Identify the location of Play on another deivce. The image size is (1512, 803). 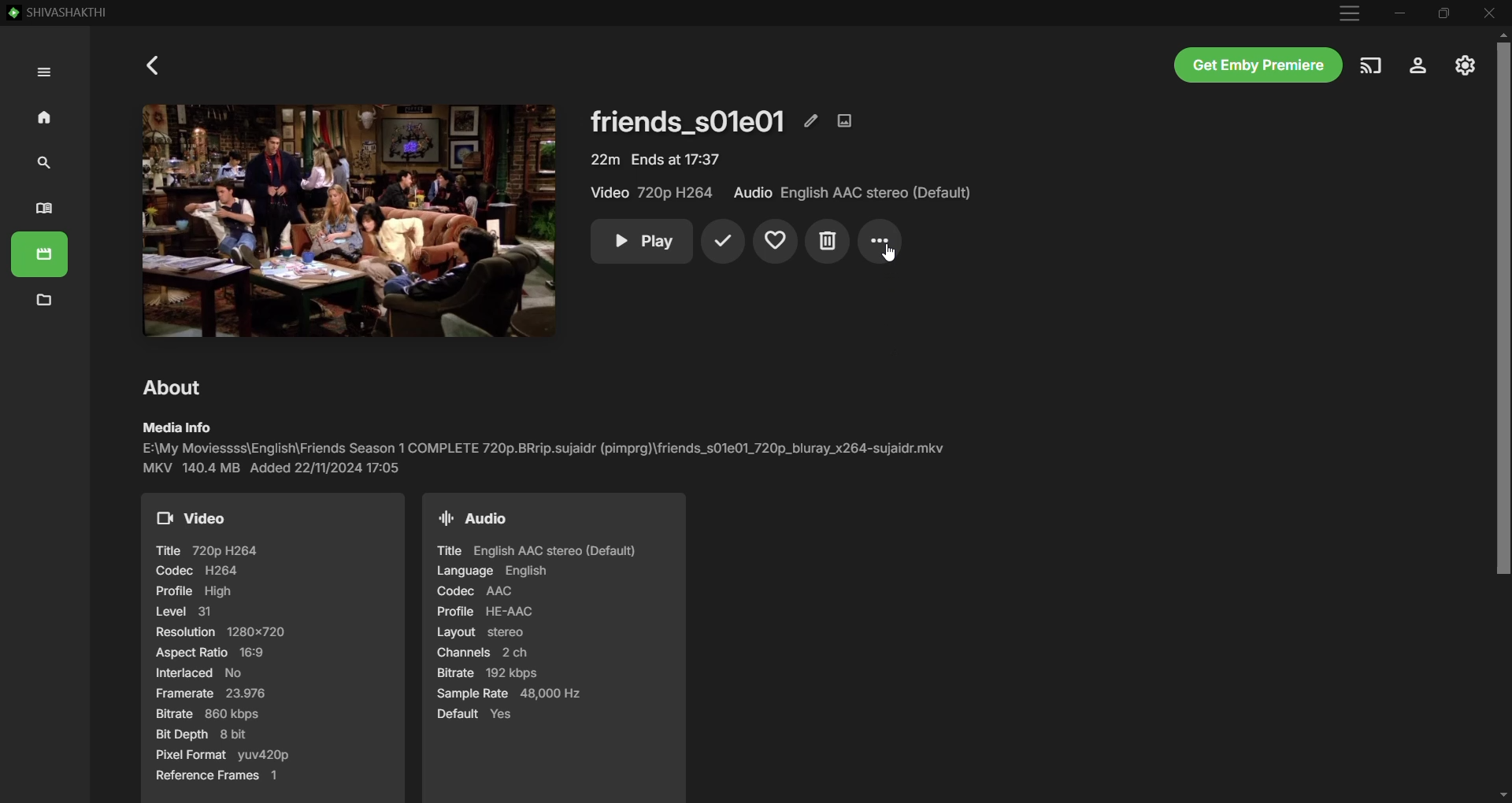
(1371, 66).